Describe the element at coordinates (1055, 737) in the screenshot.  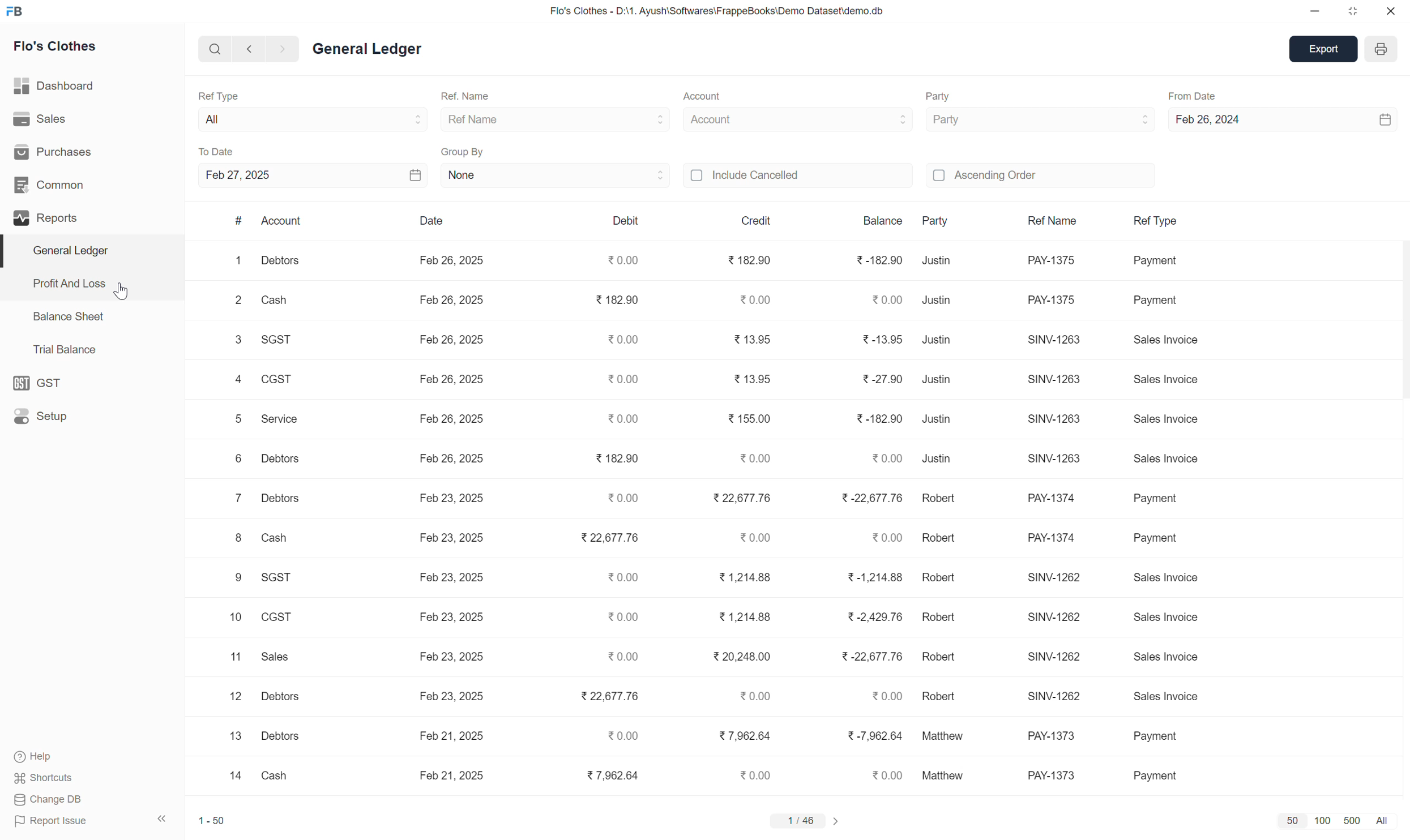
I see `PAY-1373` at that location.